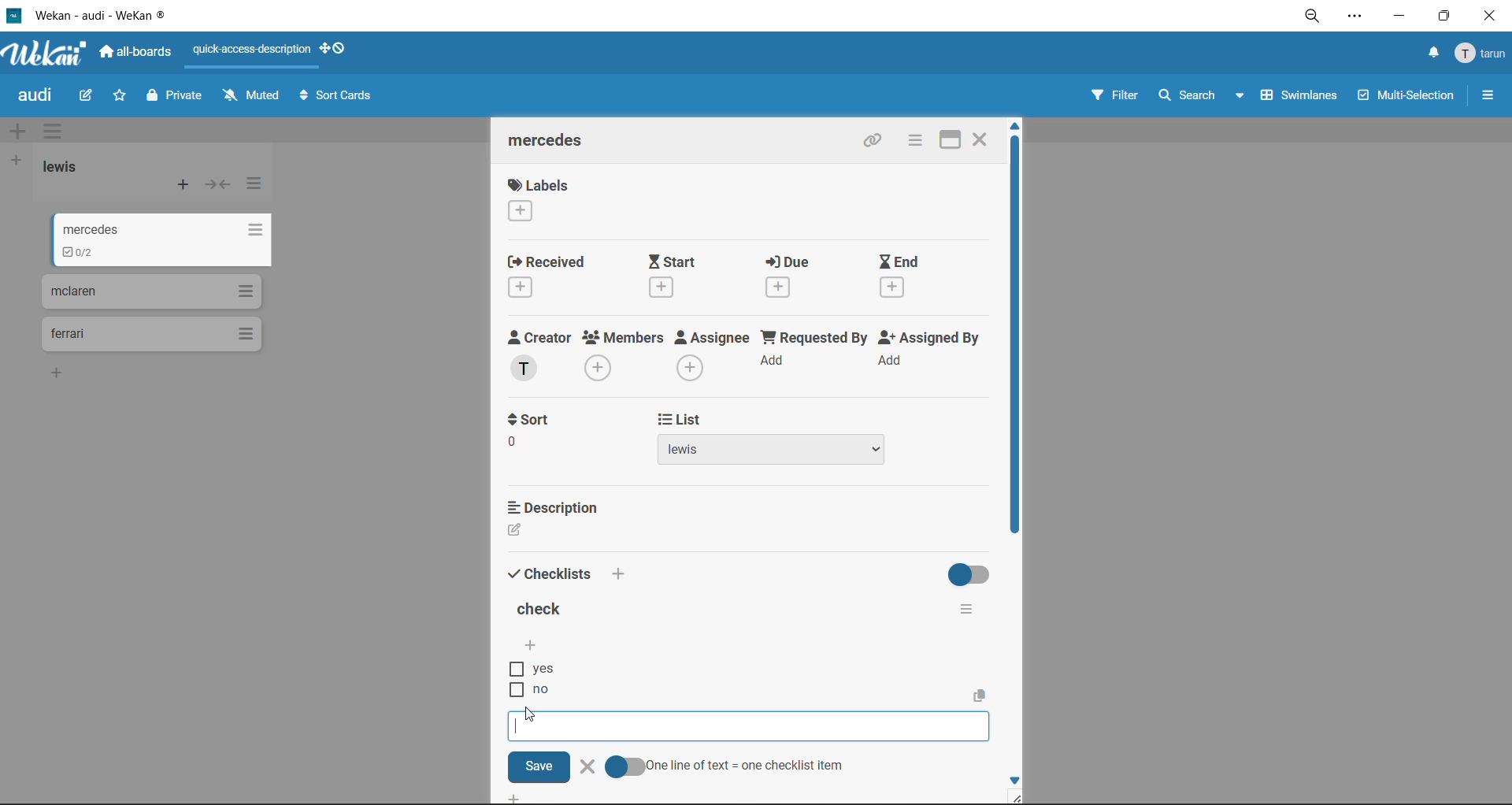  Describe the element at coordinates (808, 419) in the screenshot. I see `list` at that location.